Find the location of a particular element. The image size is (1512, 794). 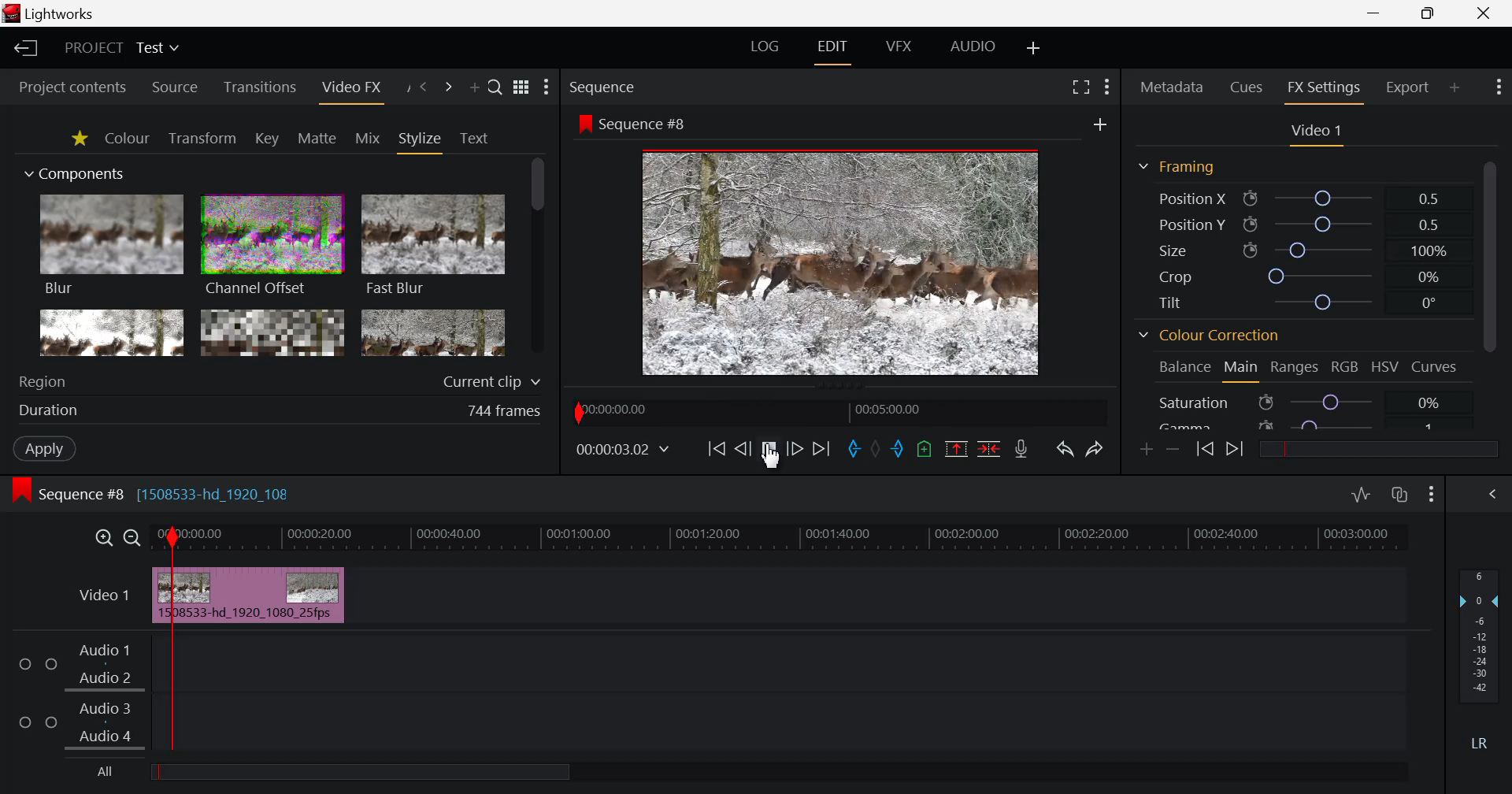

Cursor on Play is located at coordinates (769, 449).